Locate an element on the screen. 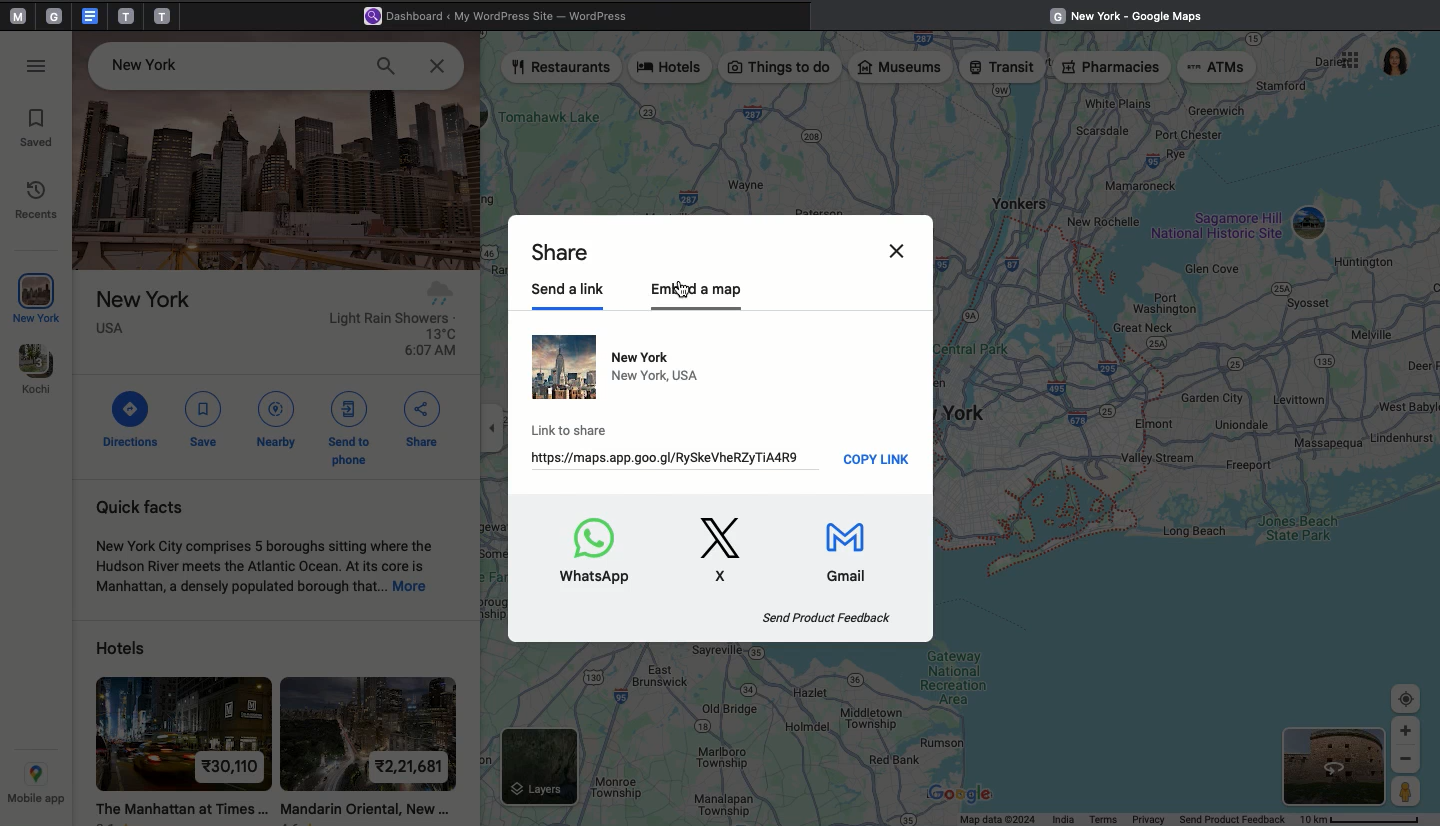  Map is located at coordinates (1193, 397).